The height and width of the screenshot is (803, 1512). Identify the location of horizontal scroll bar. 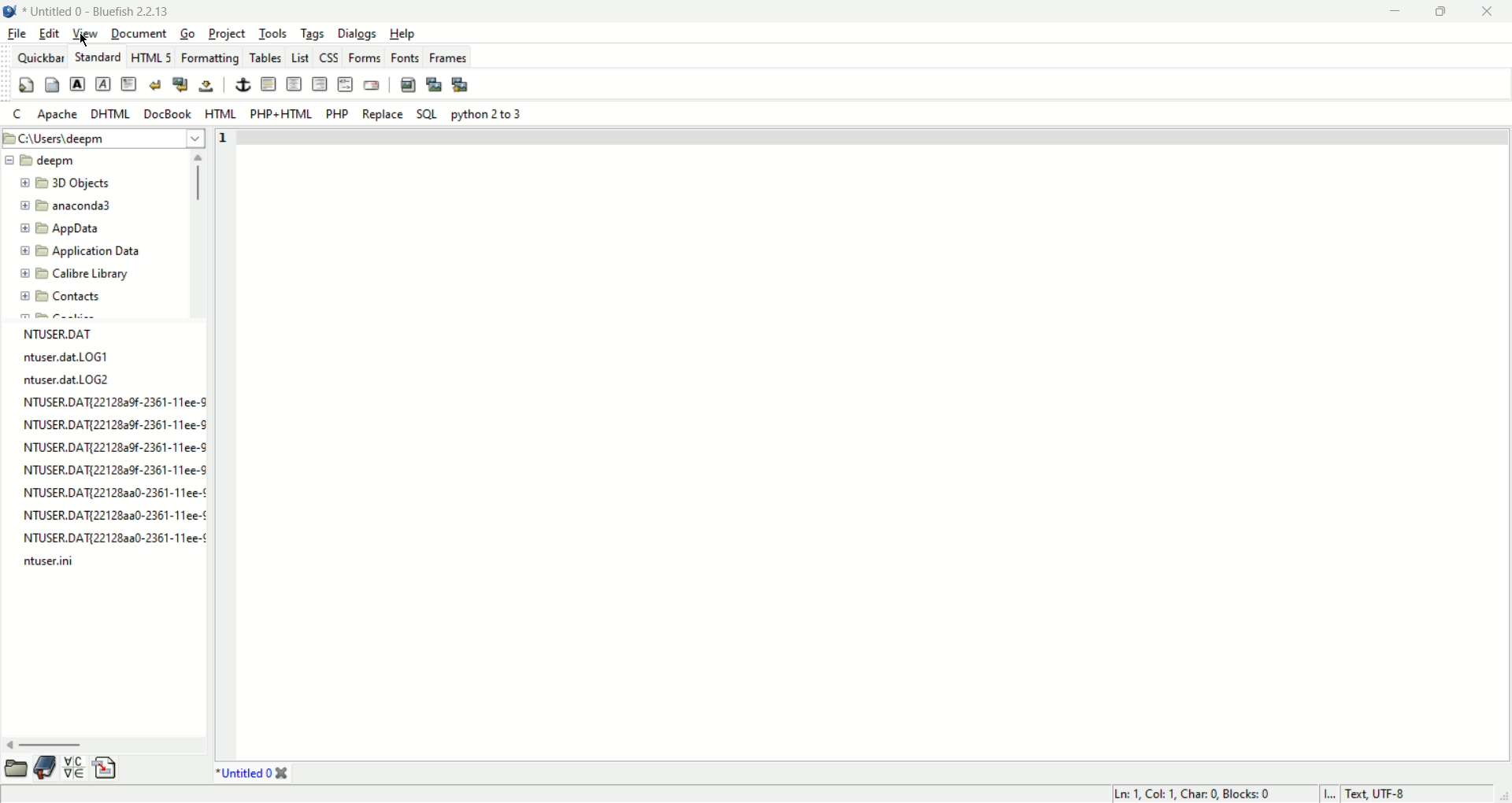
(96, 744).